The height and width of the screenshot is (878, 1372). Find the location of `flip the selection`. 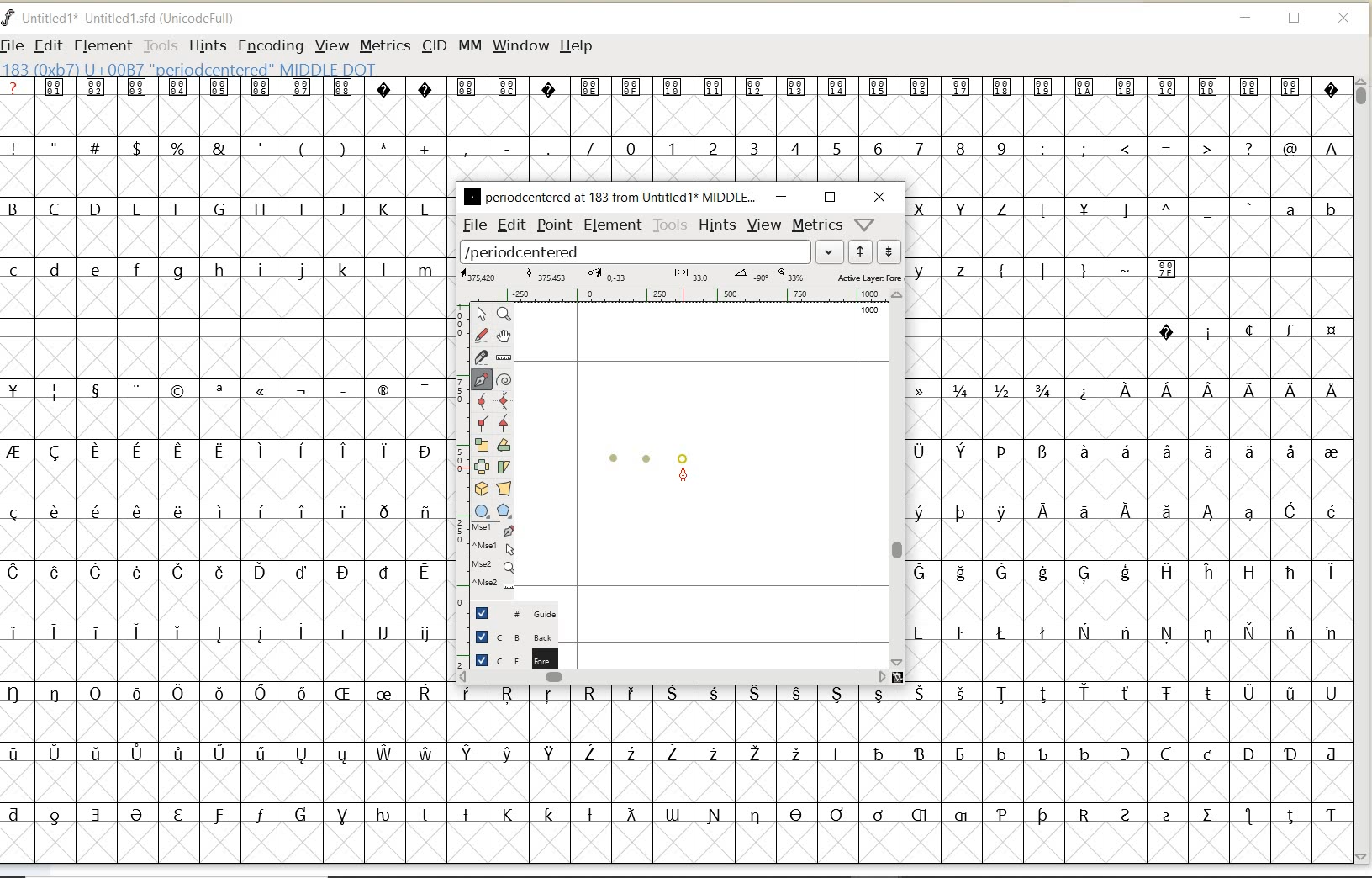

flip the selection is located at coordinates (483, 467).